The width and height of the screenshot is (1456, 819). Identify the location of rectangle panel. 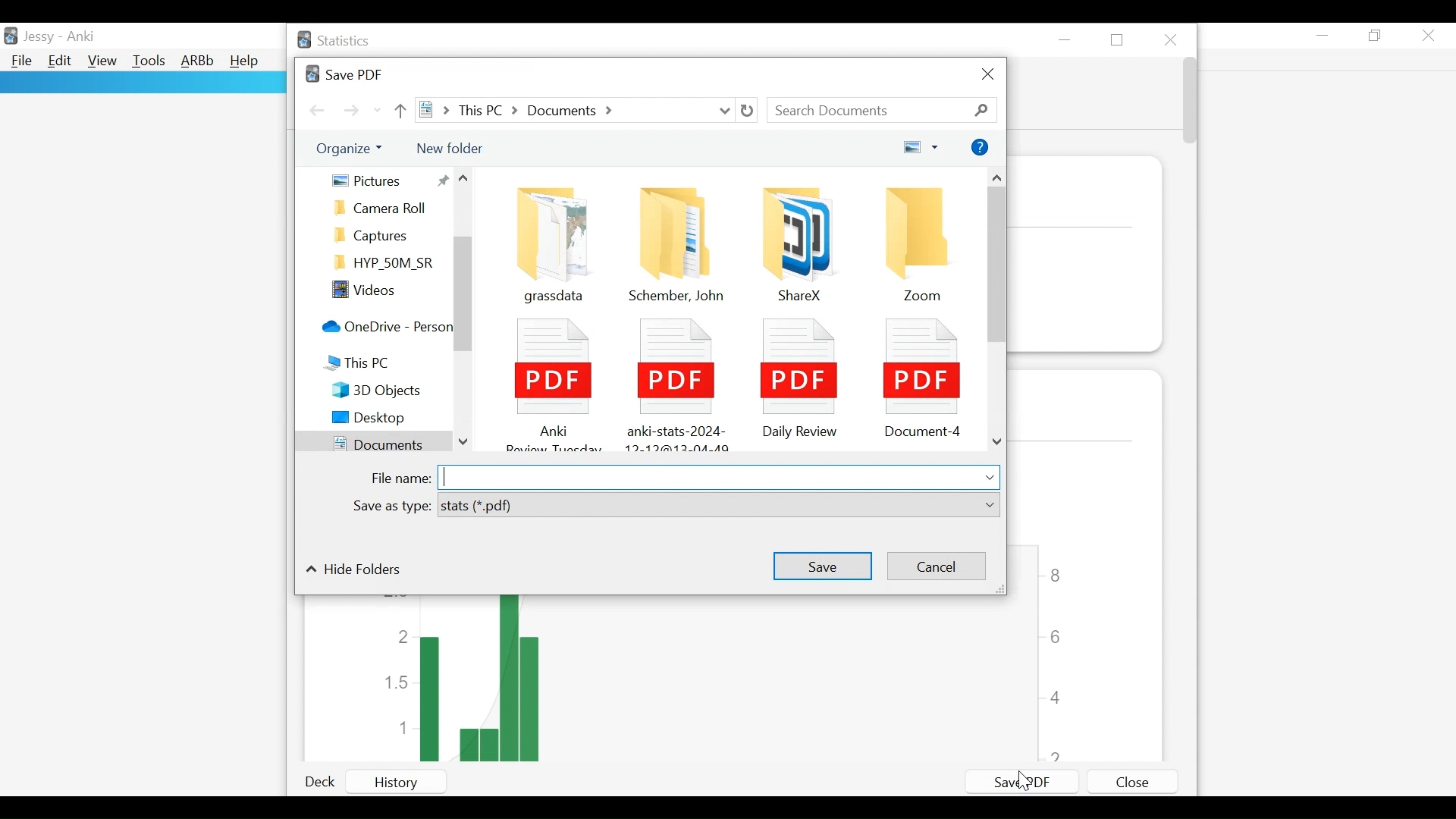
(142, 83).